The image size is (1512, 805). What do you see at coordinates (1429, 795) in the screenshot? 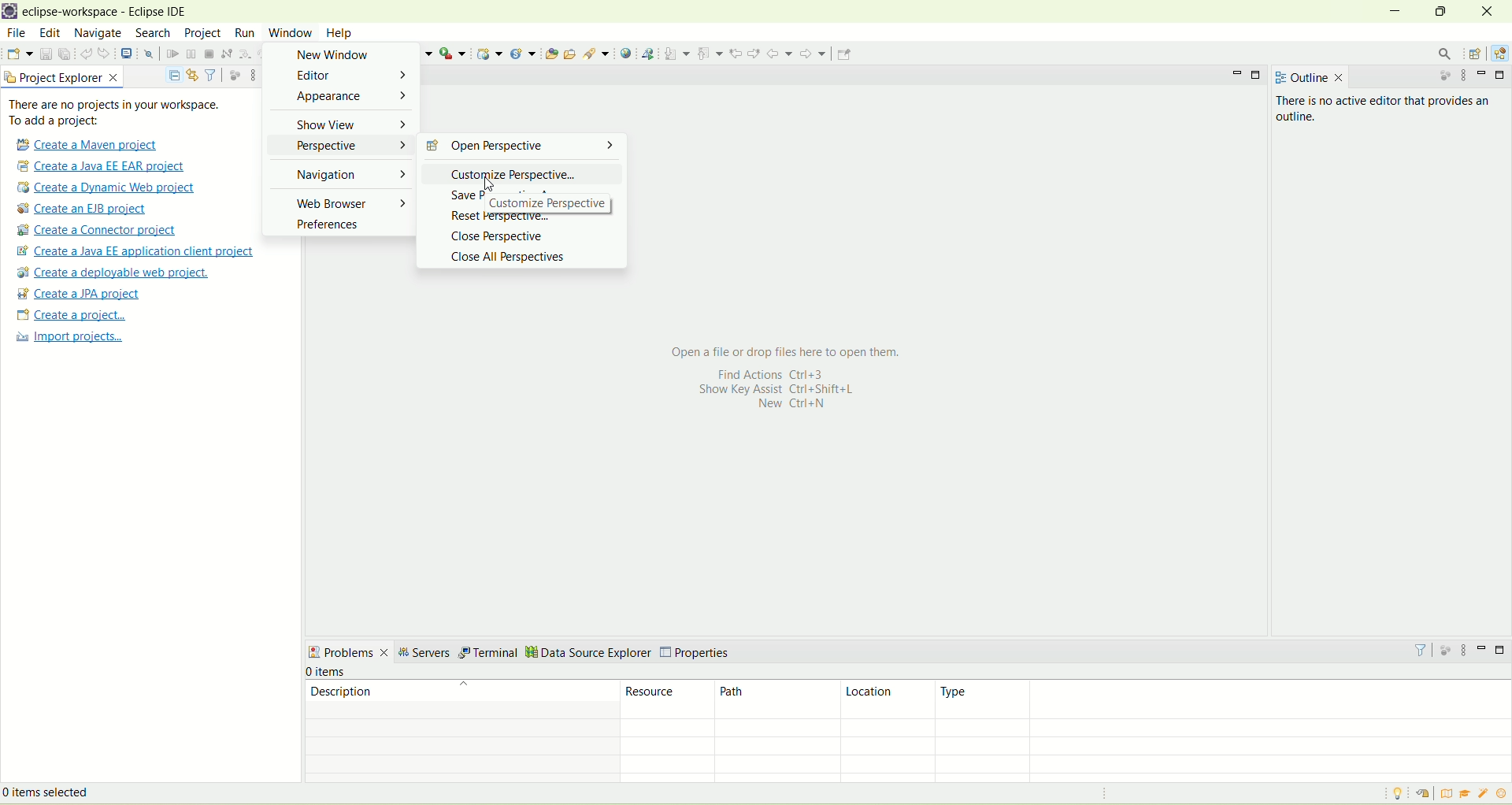
I see `restore welcome` at bounding box center [1429, 795].